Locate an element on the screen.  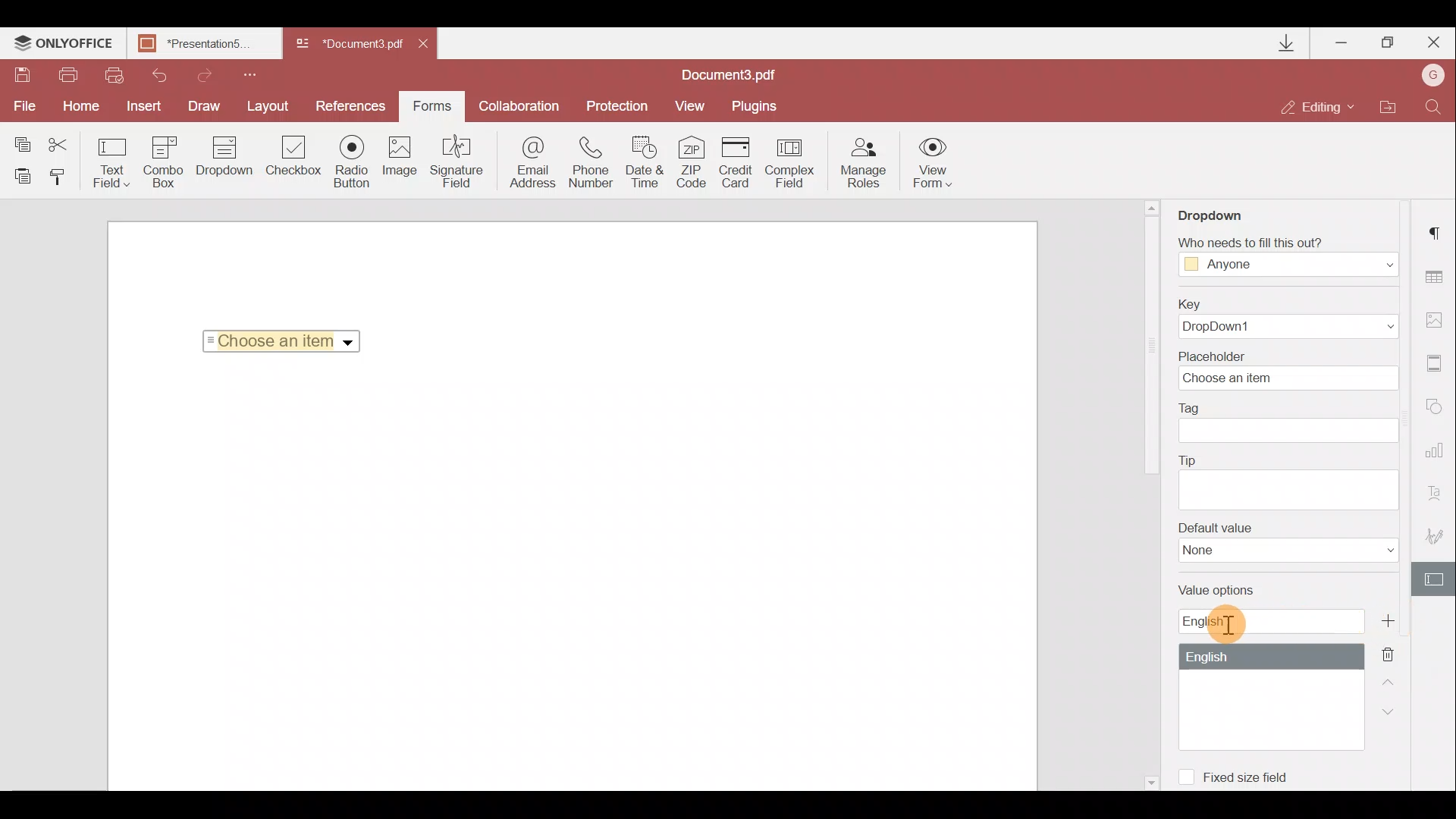
Add new value is located at coordinates (1394, 621).